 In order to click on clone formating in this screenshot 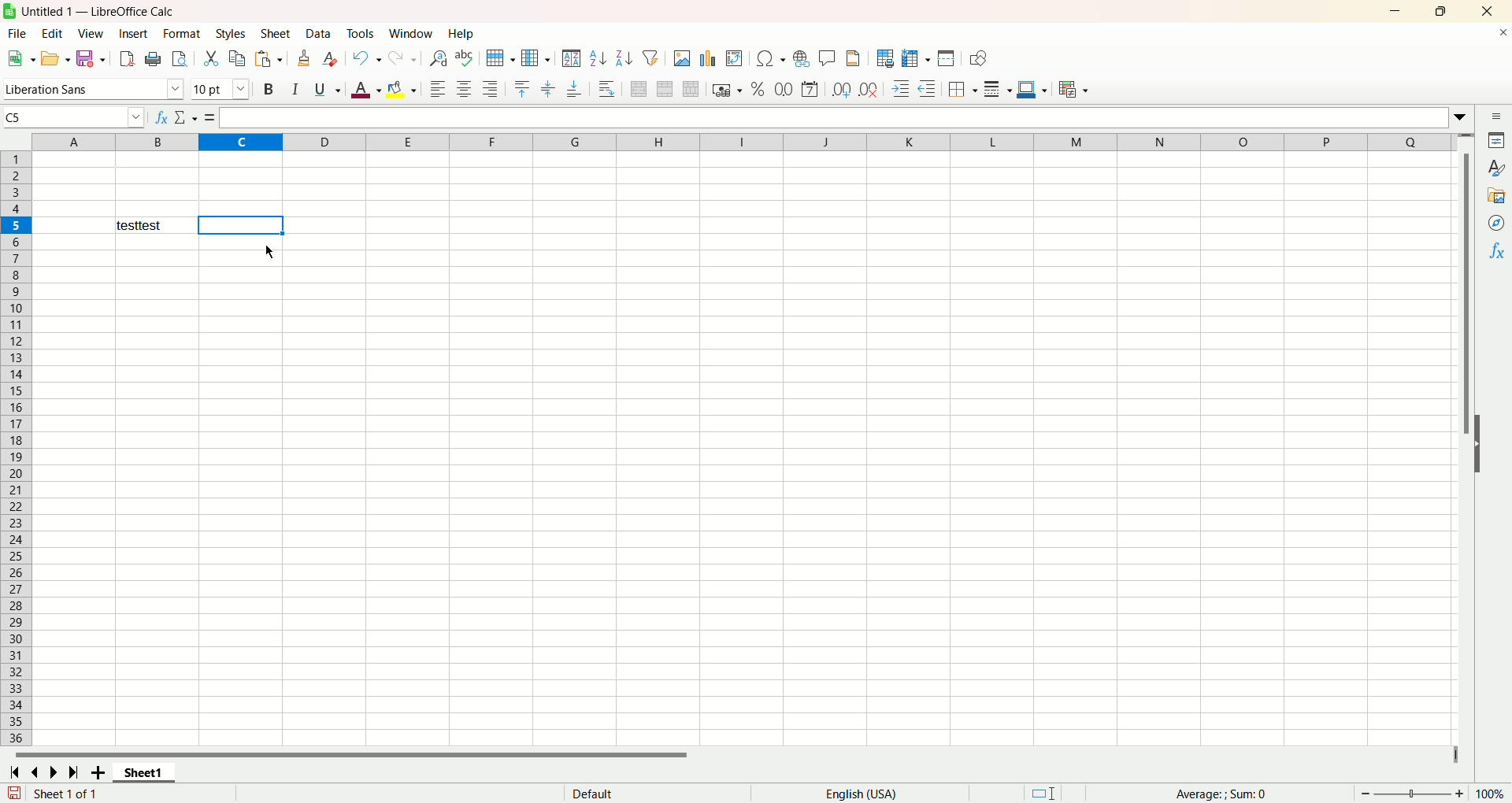, I will do `click(306, 58)`.